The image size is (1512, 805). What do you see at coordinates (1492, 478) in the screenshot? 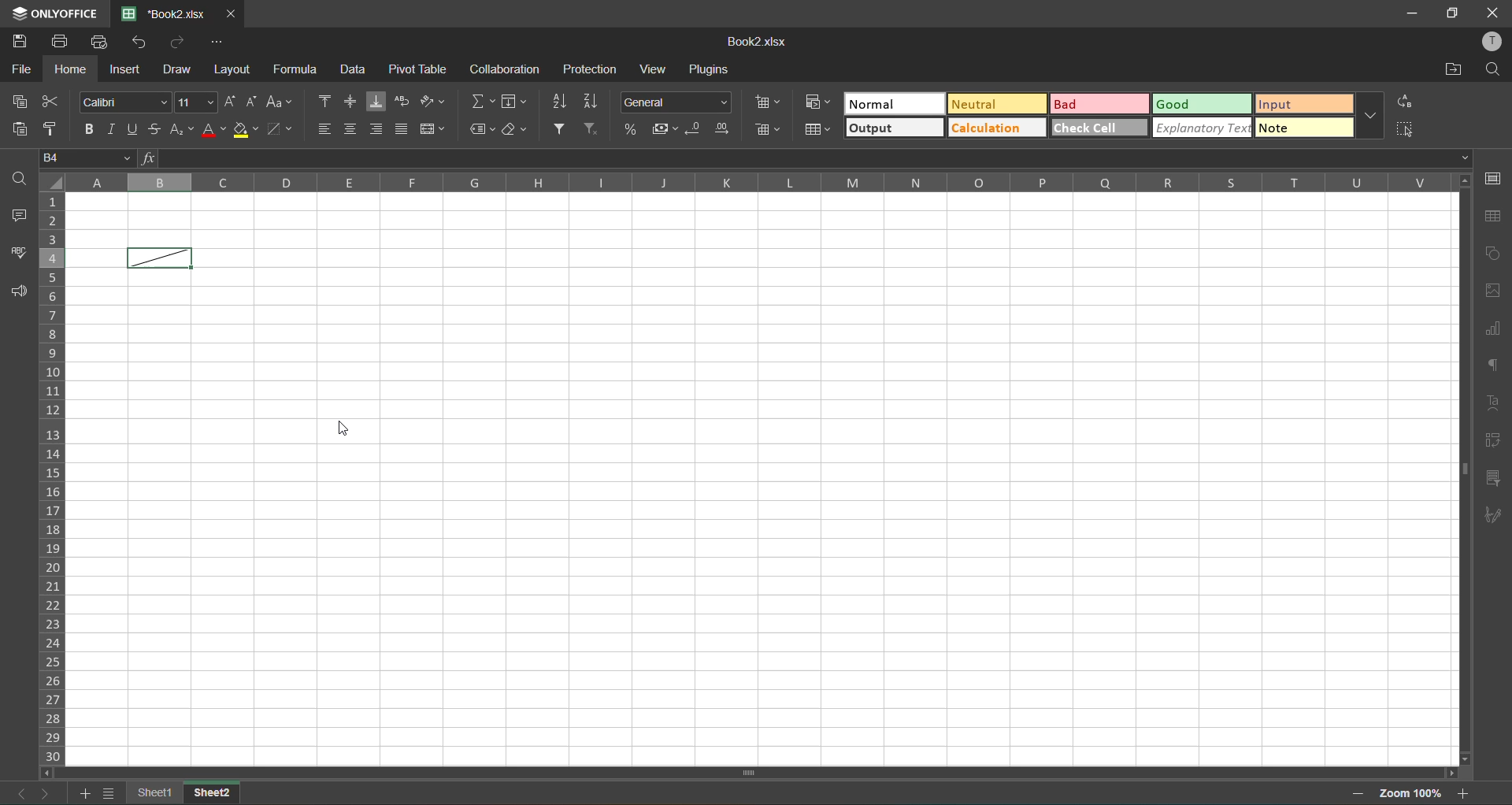
I see `slicer` at bounding box center [1492, 478].